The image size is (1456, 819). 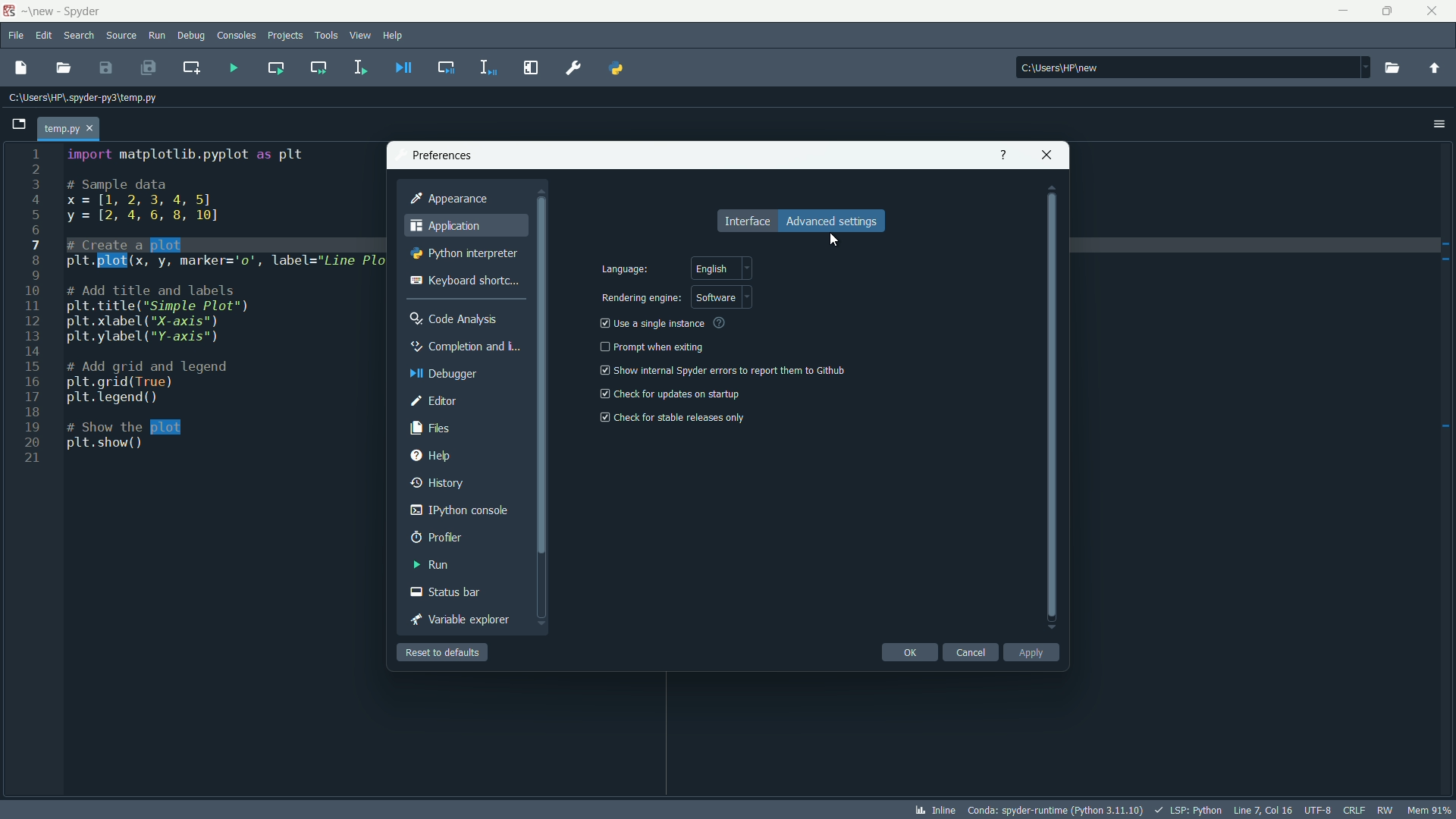 What do you see at coordinates (1320, 810) in the screenshot?
I see `file encoding` at bounding box center [1320, 810].